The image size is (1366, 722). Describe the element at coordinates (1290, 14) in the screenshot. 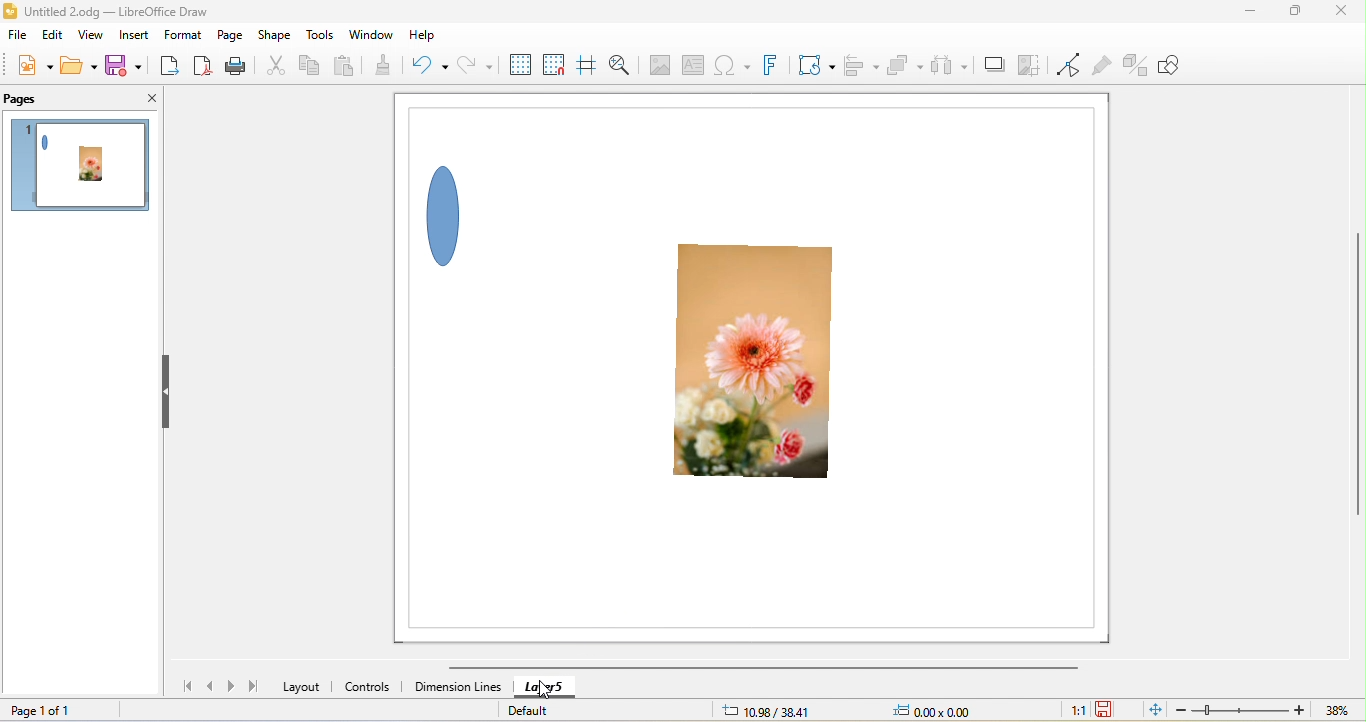

I see `maximize` at that location.